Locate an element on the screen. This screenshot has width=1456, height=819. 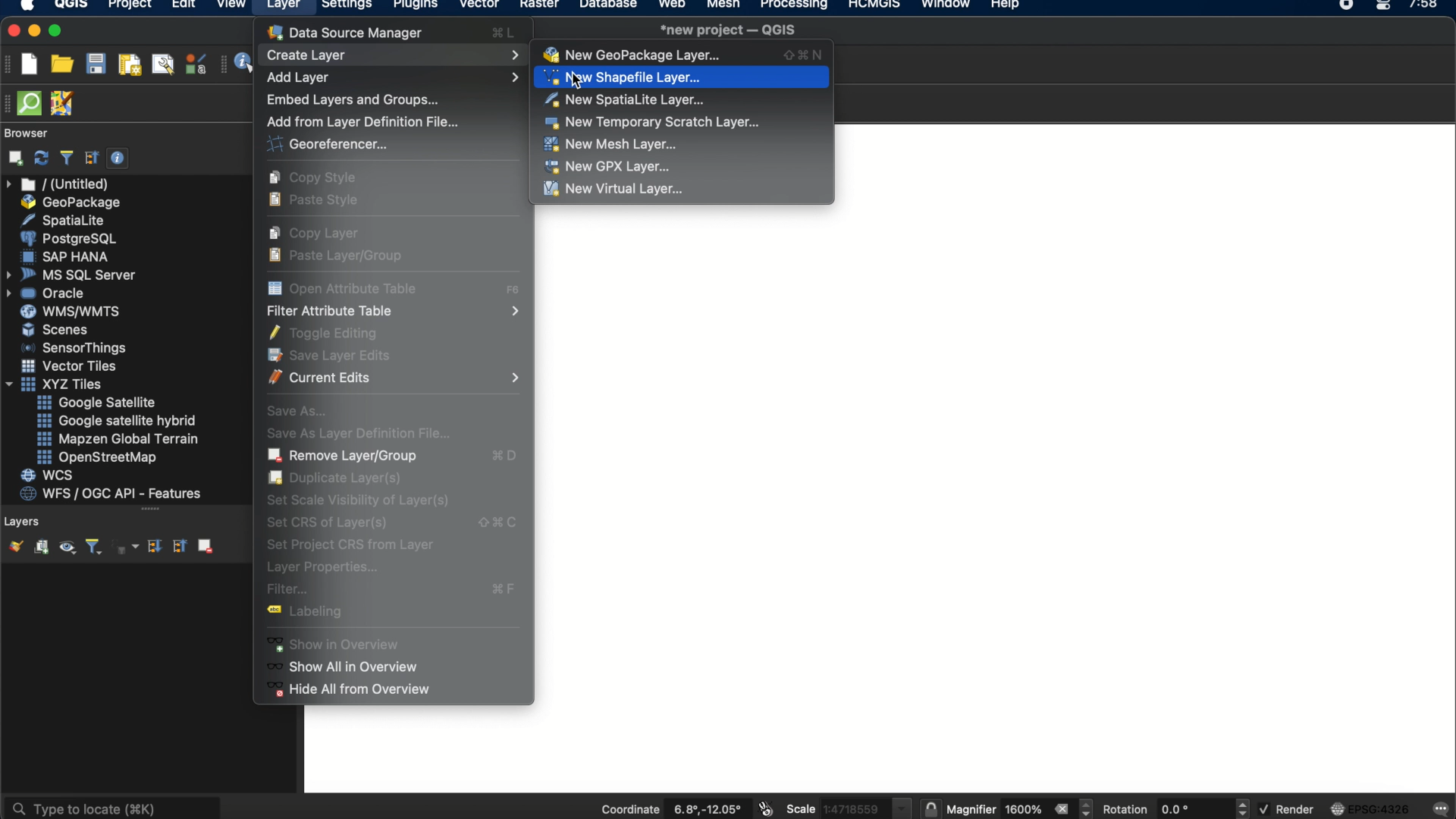
new project is located at coordinates (29, 64).